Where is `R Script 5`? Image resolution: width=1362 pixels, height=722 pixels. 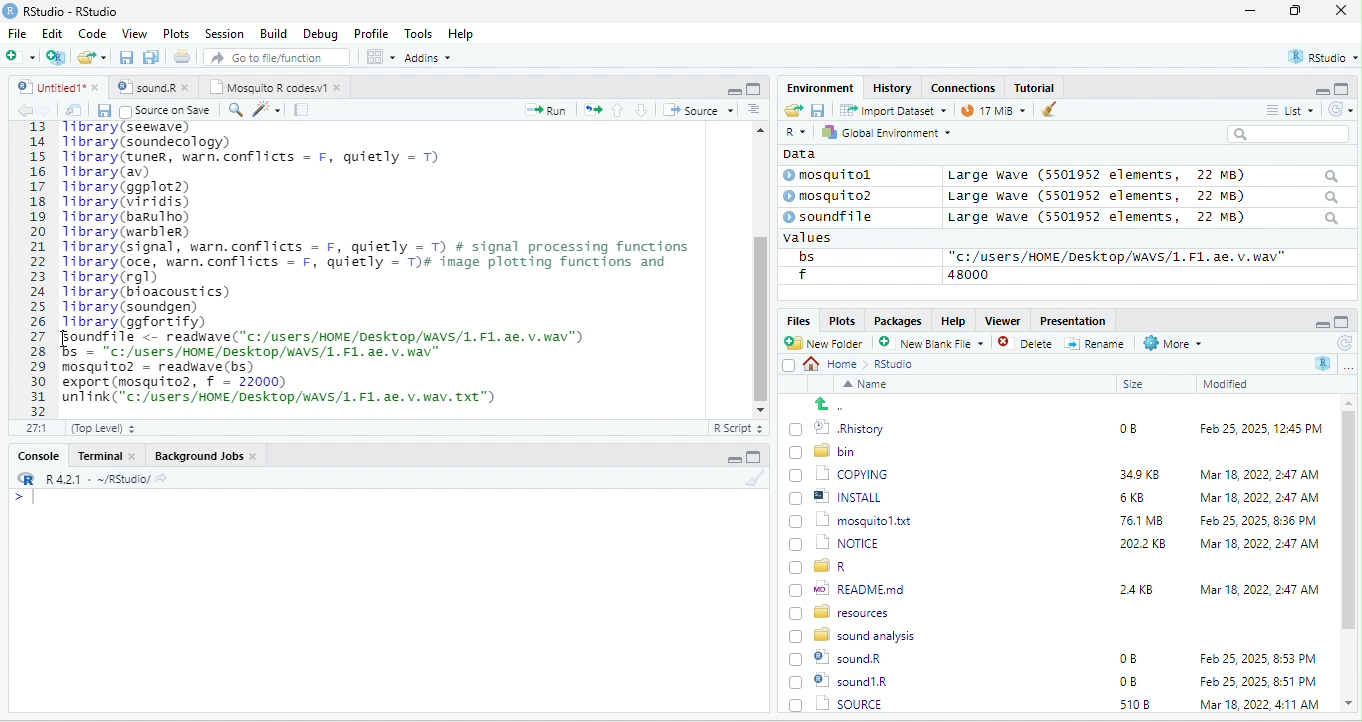
R Script 5 is located at coordinates (739, 428).